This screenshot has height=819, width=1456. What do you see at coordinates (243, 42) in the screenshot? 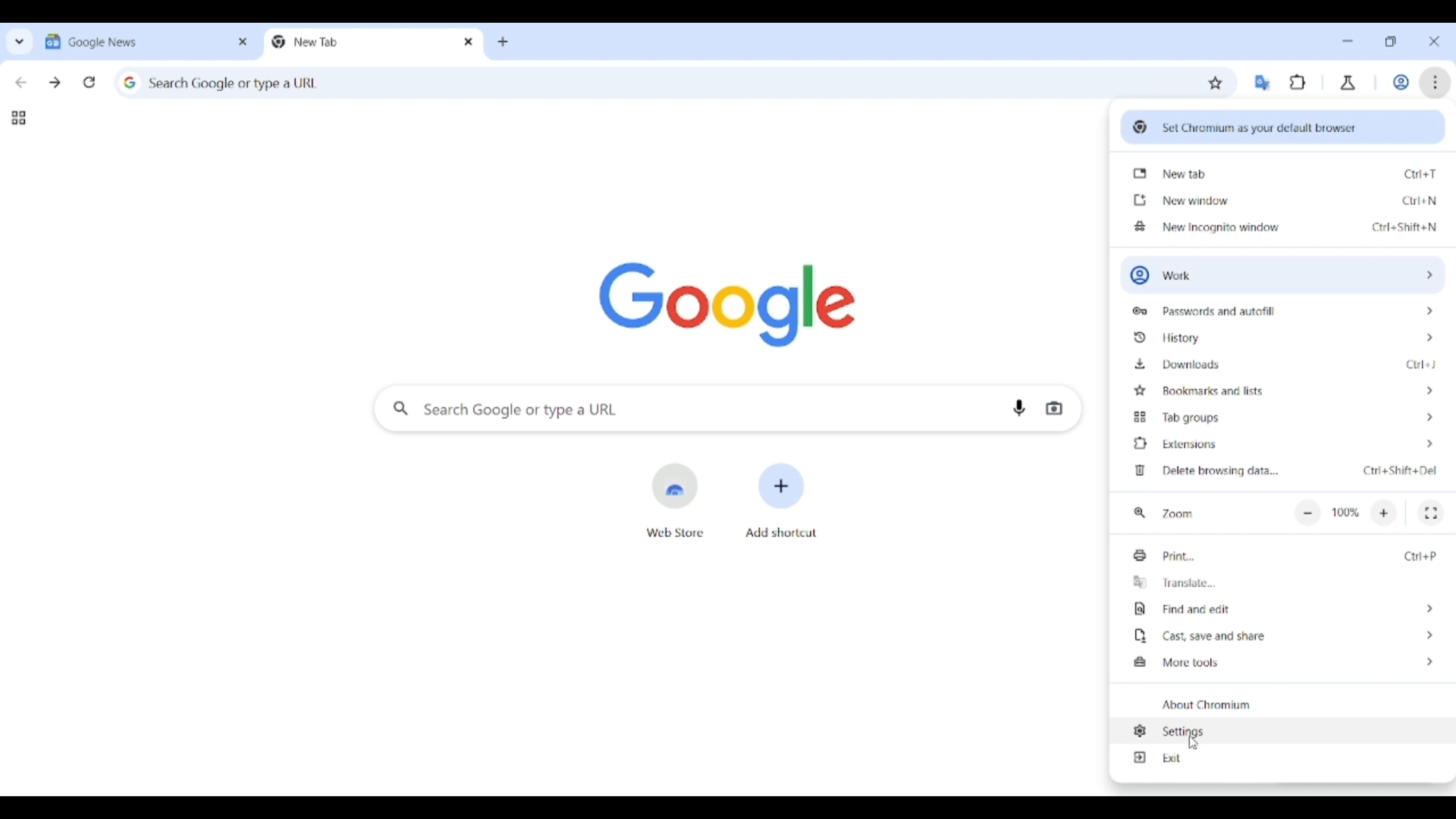
I see `Close tab 1` at bounding box center [243, 42].